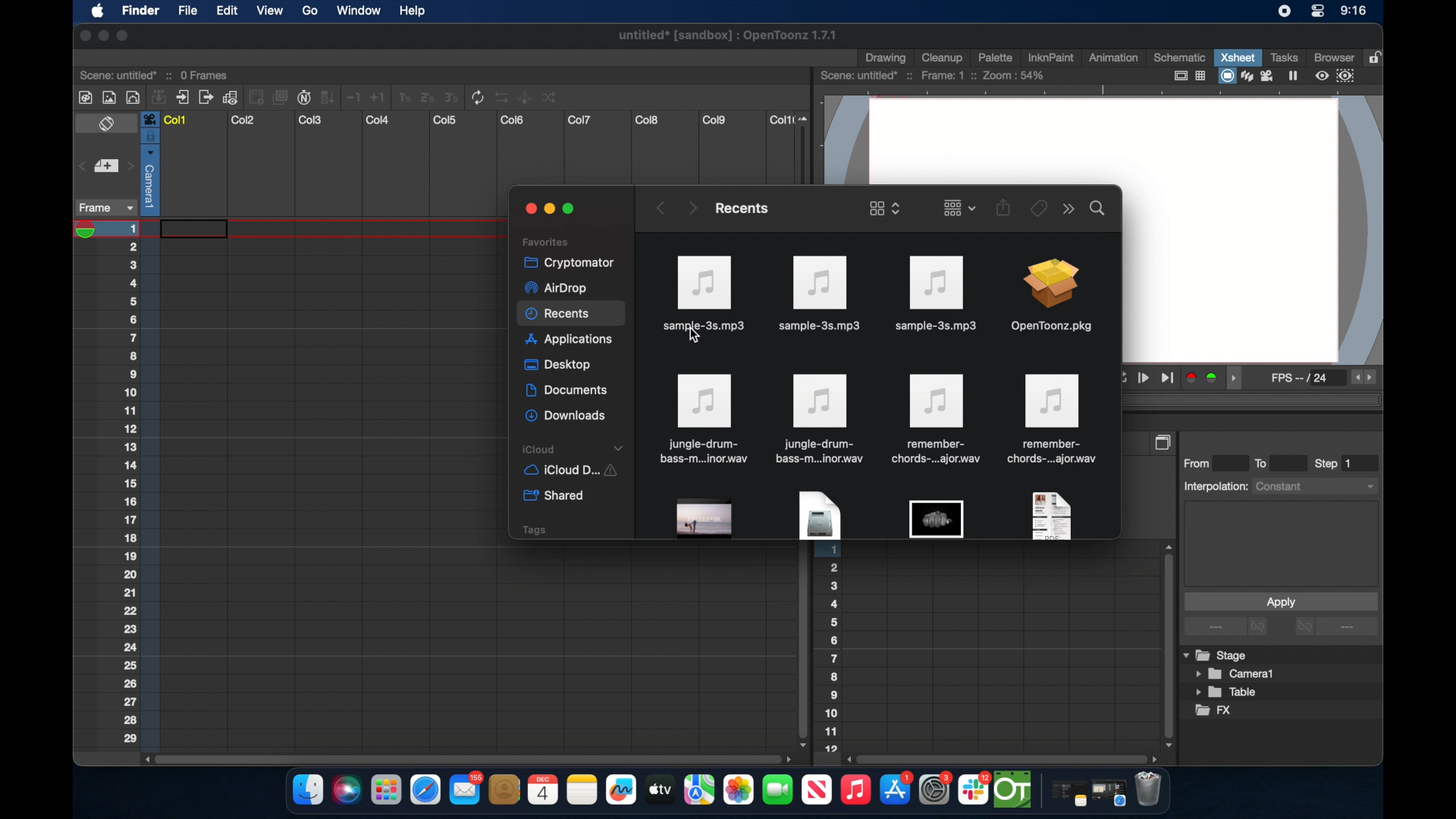 The height and width of the screenshot is (819, 1456). What do you see at coordinates (319, 96) in the screenshot?
I see `more tools` at bounding box center [319, 96].